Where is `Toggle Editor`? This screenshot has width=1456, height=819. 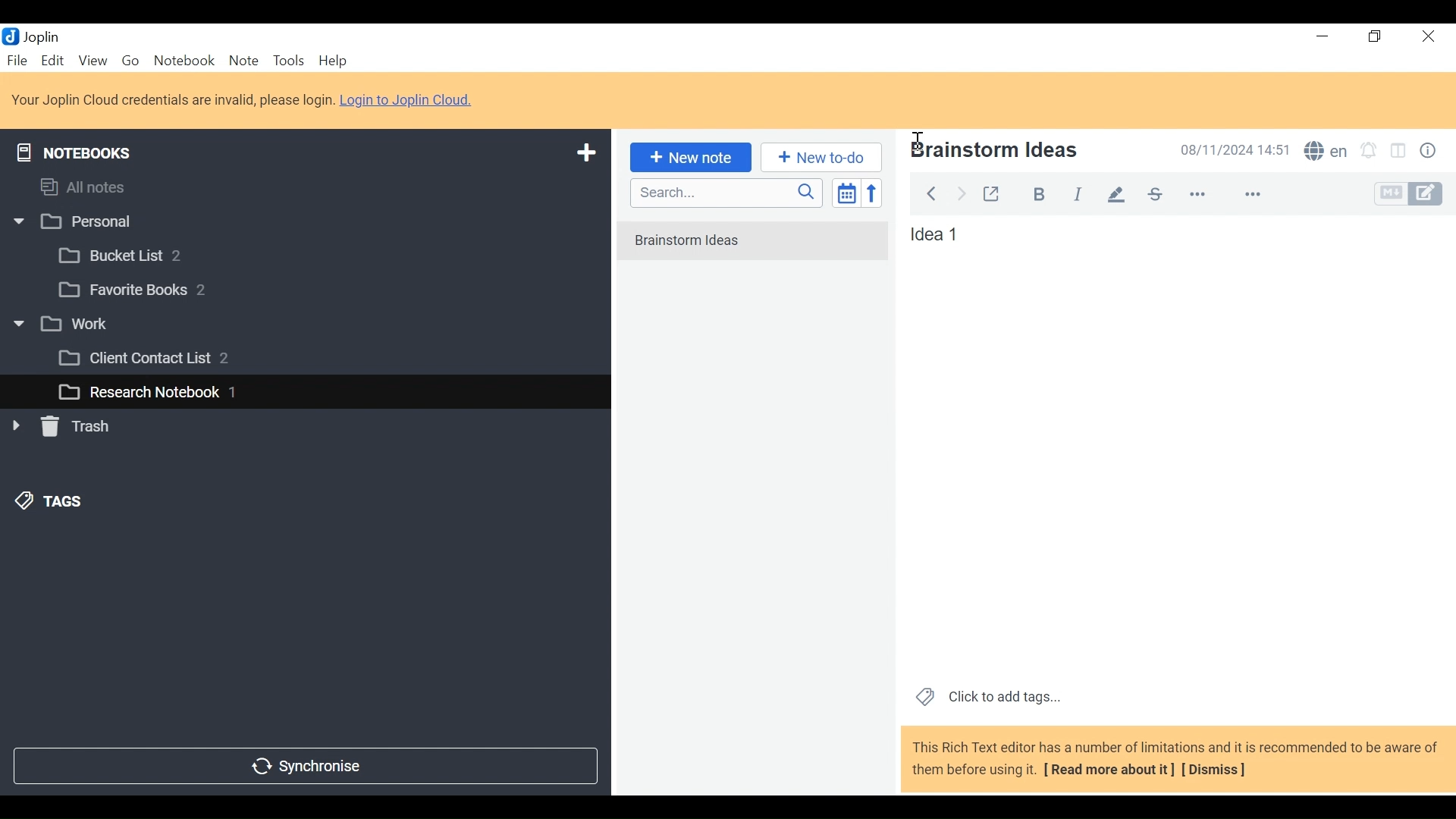
Toggle Editor is located at coordinates (1410, 194).